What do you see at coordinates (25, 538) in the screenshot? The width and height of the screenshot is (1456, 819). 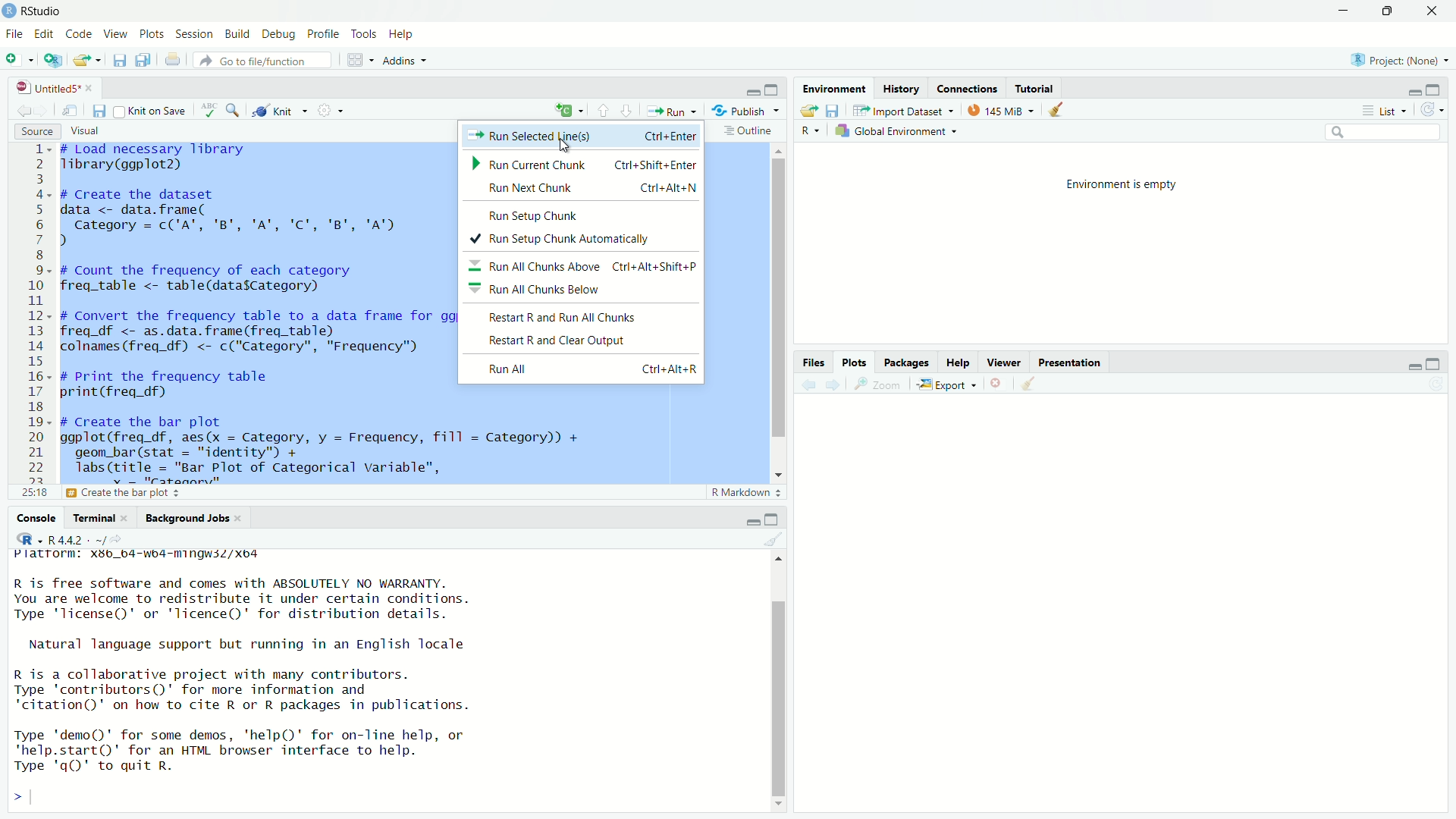 I see `icon` at bounding box center [25, 538].